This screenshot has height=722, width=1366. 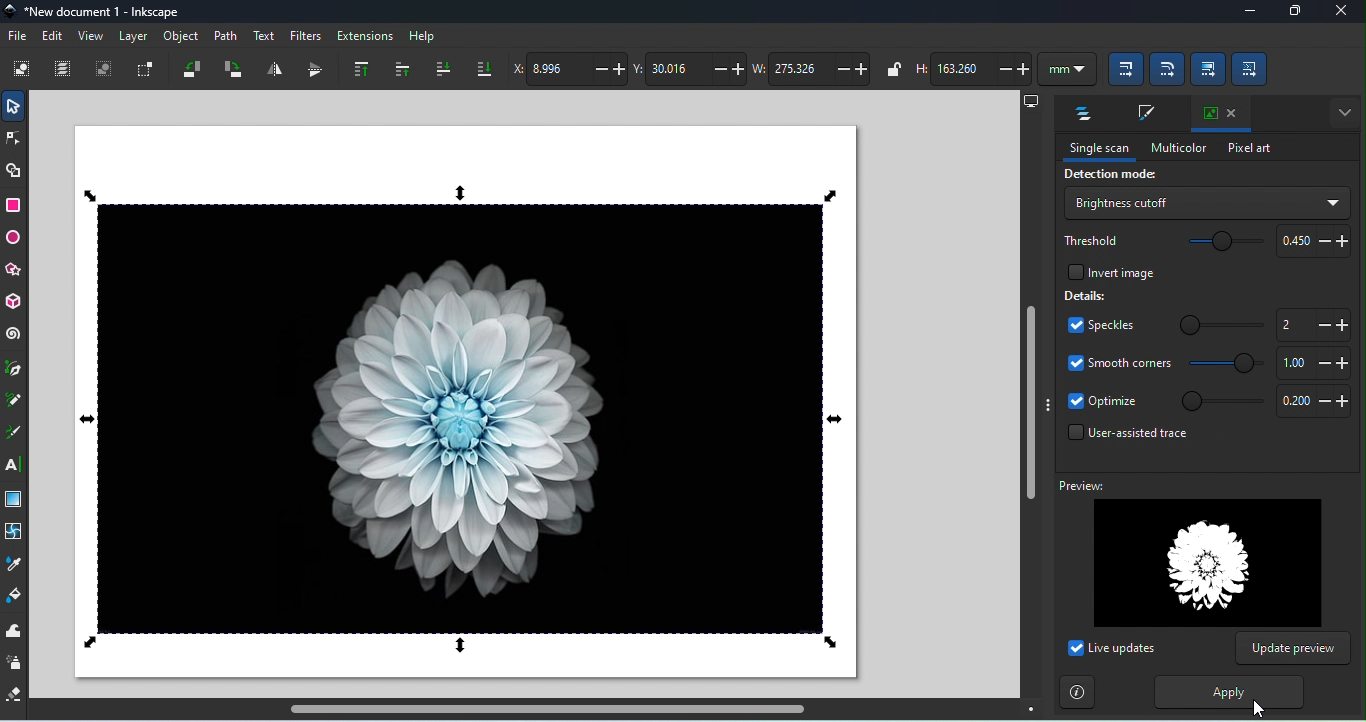 What do you see at coordinates (264, 34) in the screenshot?
I see `Text` at bounding box center [264, 34].